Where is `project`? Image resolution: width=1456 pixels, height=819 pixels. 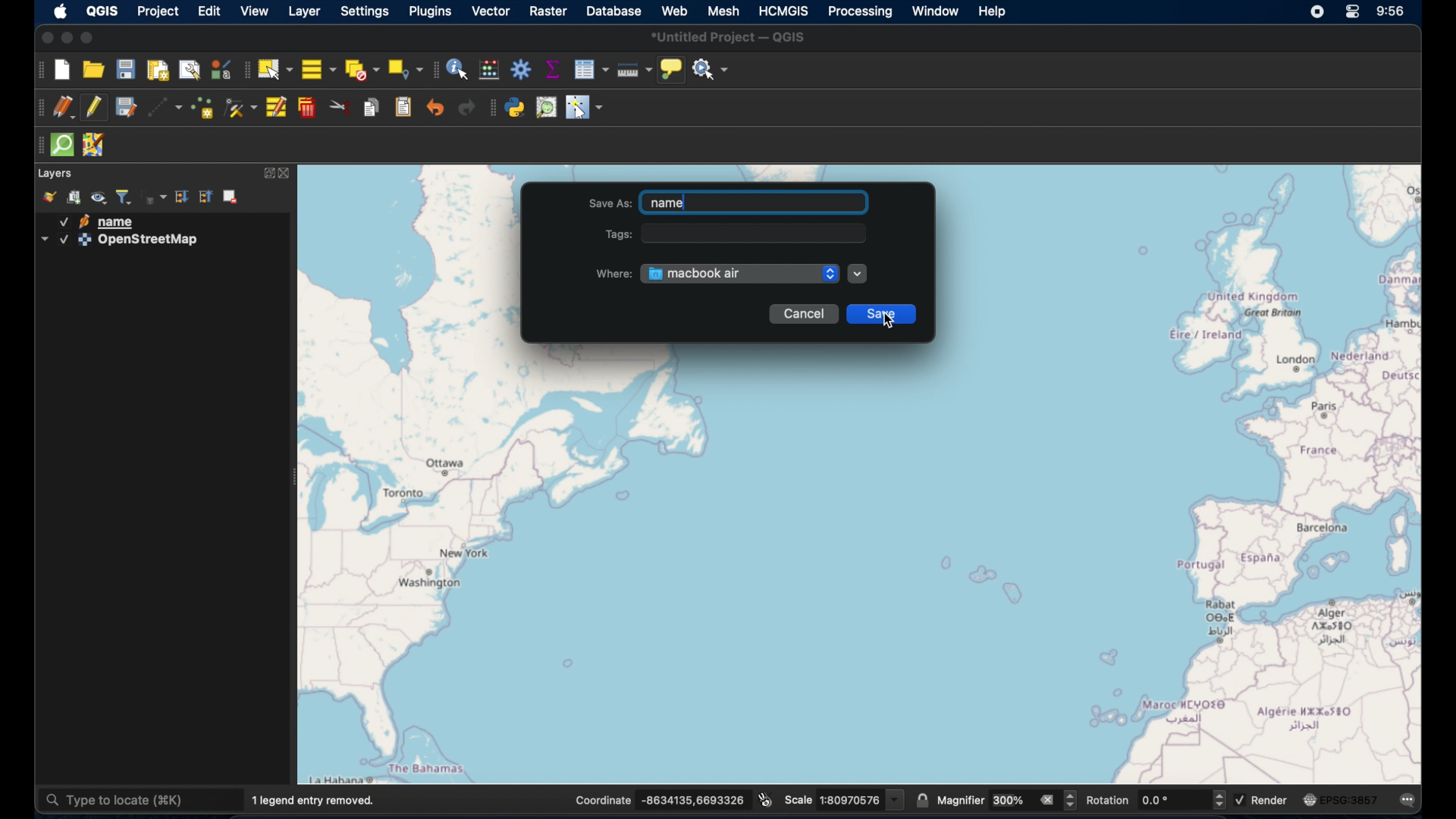 project is located at coordinates (156, 11).